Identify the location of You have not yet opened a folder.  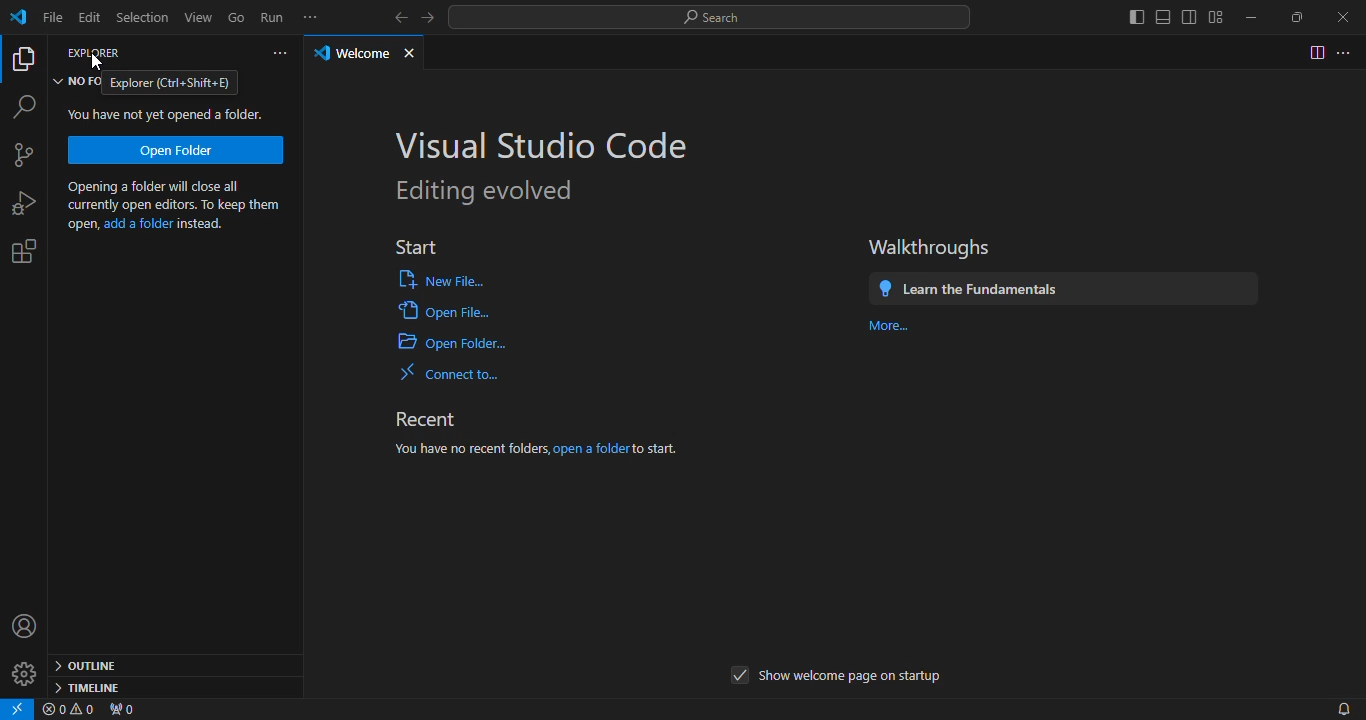
(166, 115).